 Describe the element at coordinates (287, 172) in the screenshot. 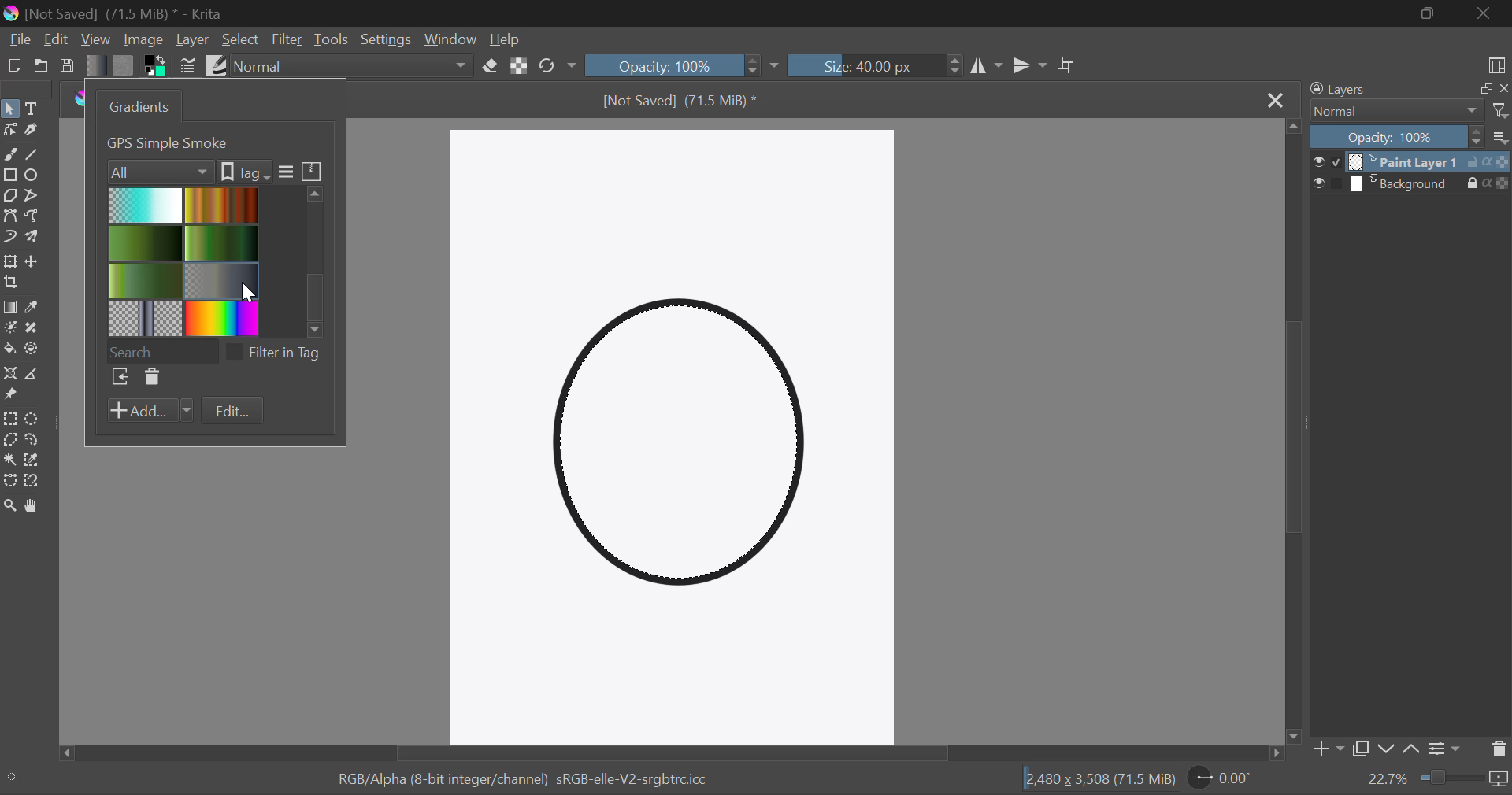

I see `more` at that location.